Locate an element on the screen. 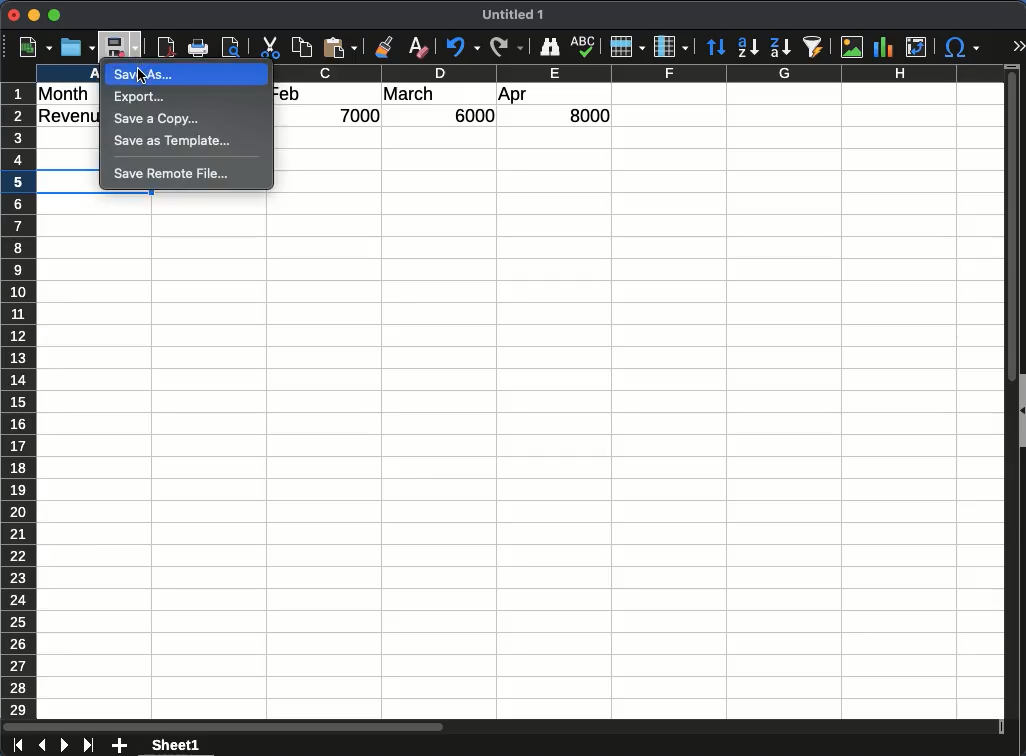 The image size is (1026, 756). image is located at coordinates (851, 47).